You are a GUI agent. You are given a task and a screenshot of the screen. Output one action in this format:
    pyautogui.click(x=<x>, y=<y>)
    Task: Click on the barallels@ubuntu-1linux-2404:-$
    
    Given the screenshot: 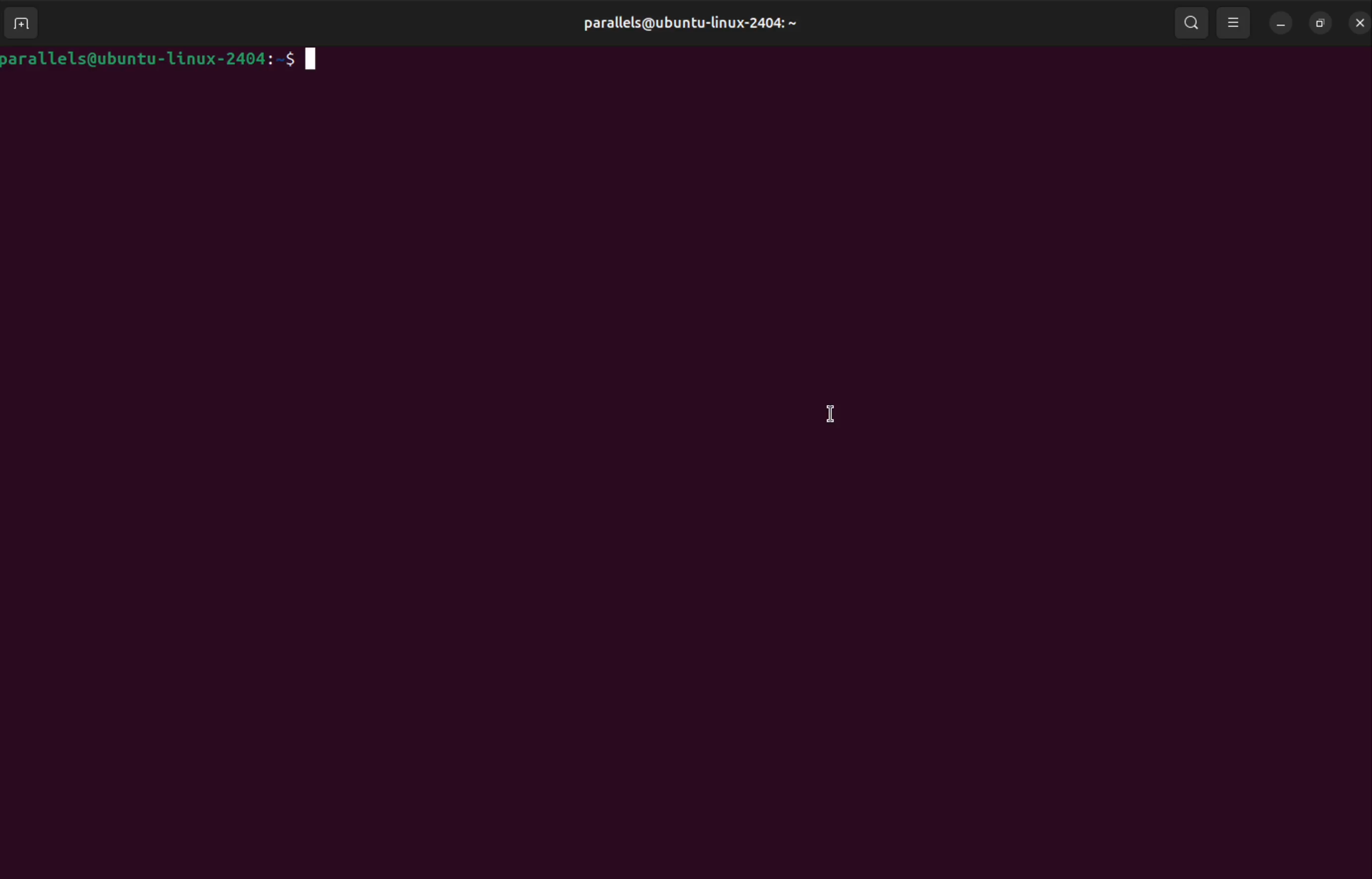 What is the action you would take?
    pyautogui.click(x=153, y=59)
    